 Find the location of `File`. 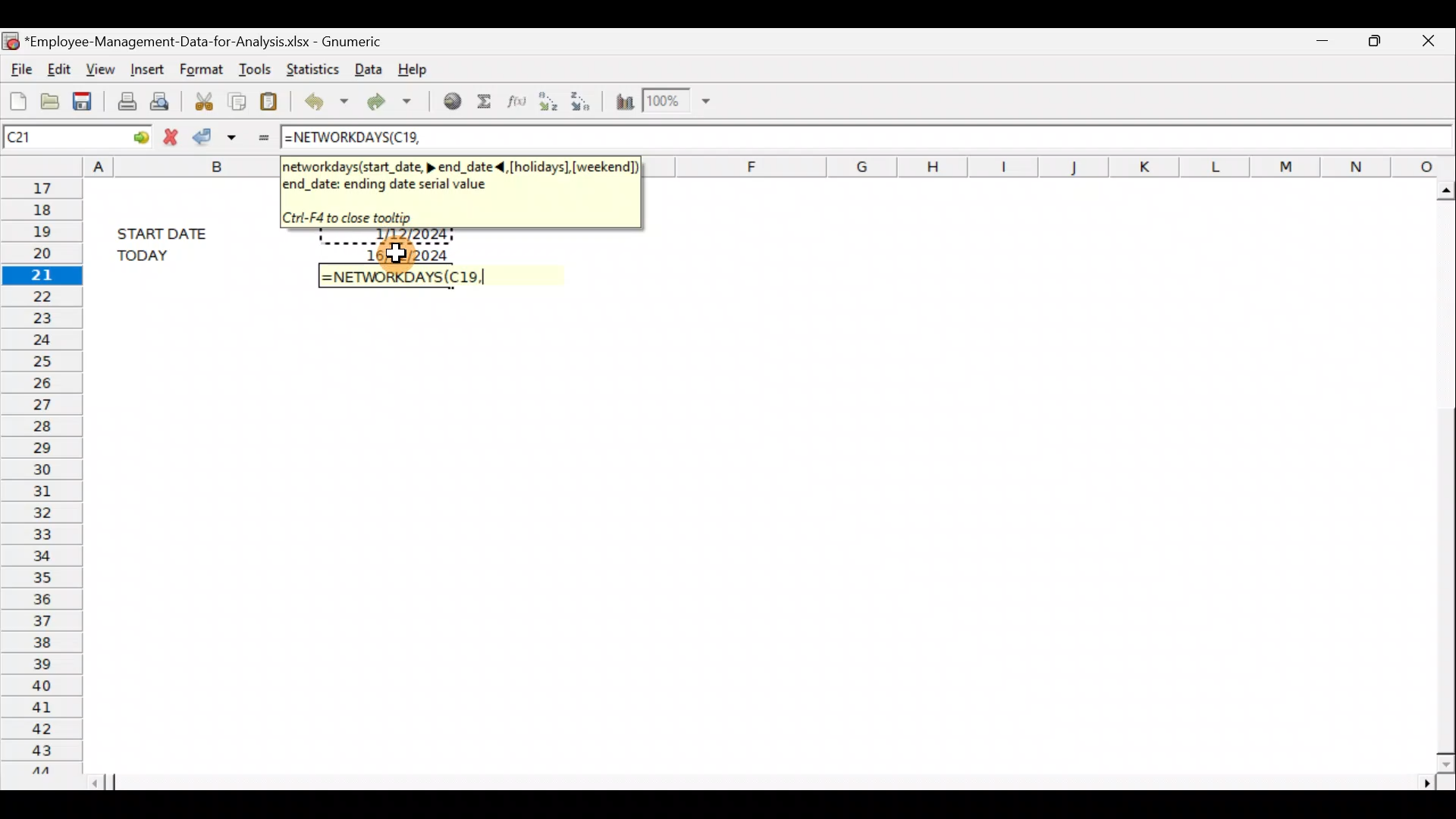

File is located at coordinates (19, 67).